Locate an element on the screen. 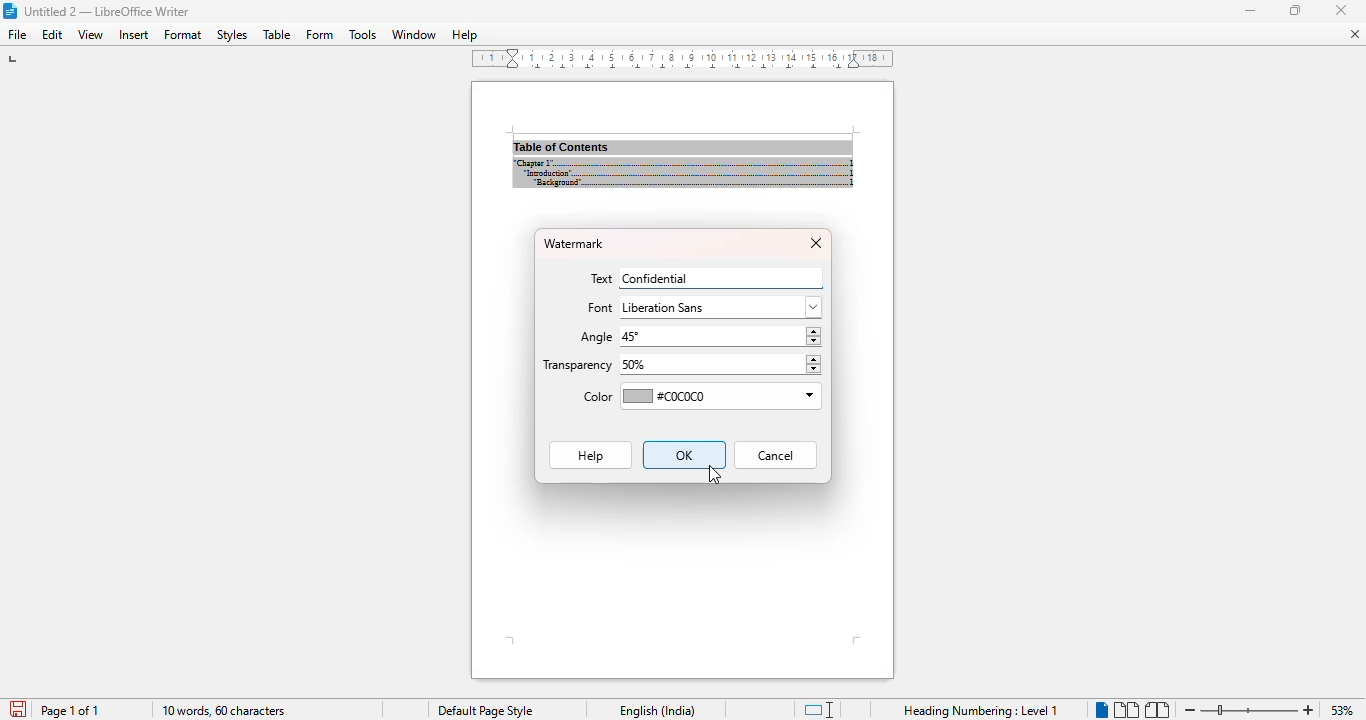 The width and height of the screenshot is (1366, 720). angle is located at coordinates (595, 338).